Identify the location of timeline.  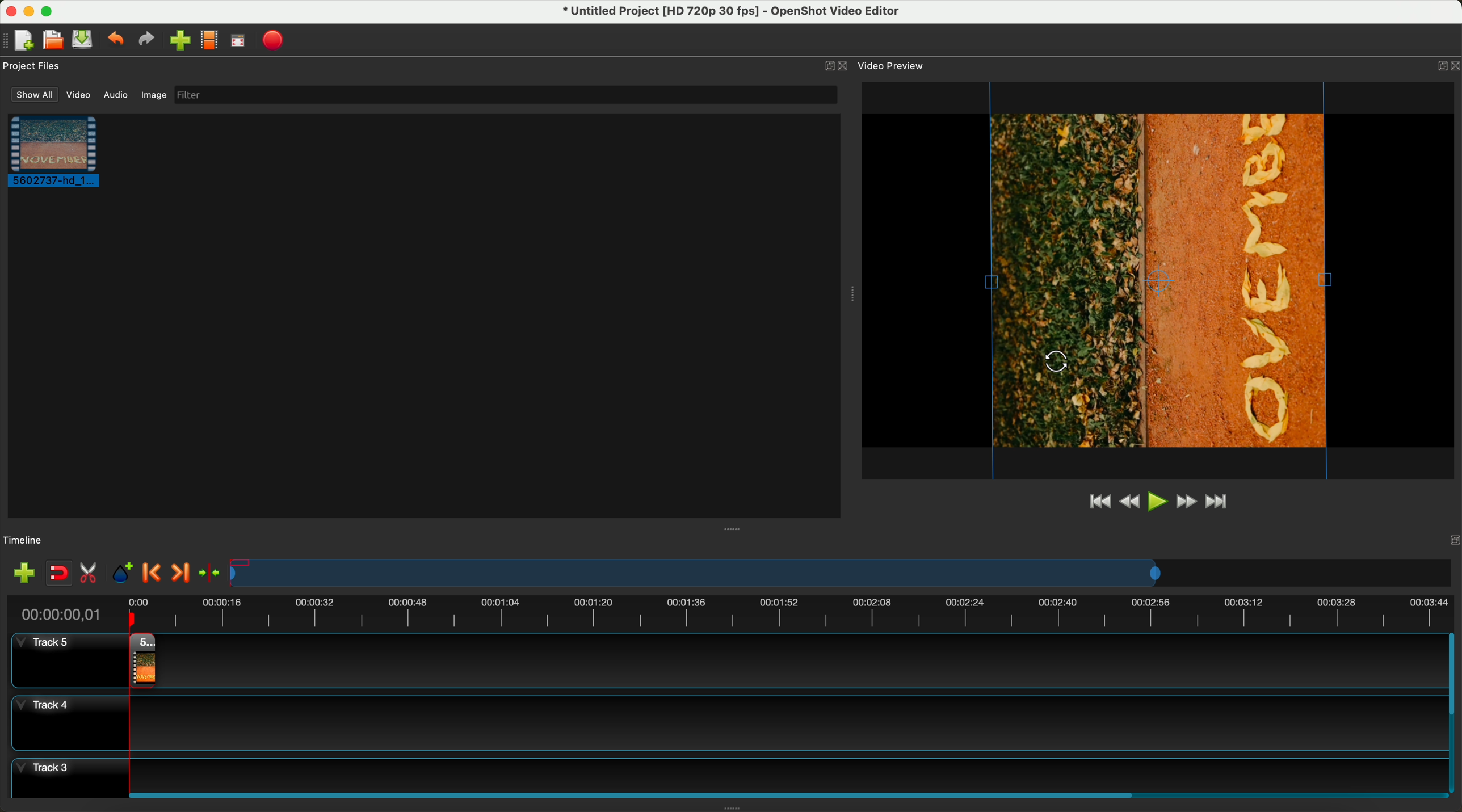
(841, 572).